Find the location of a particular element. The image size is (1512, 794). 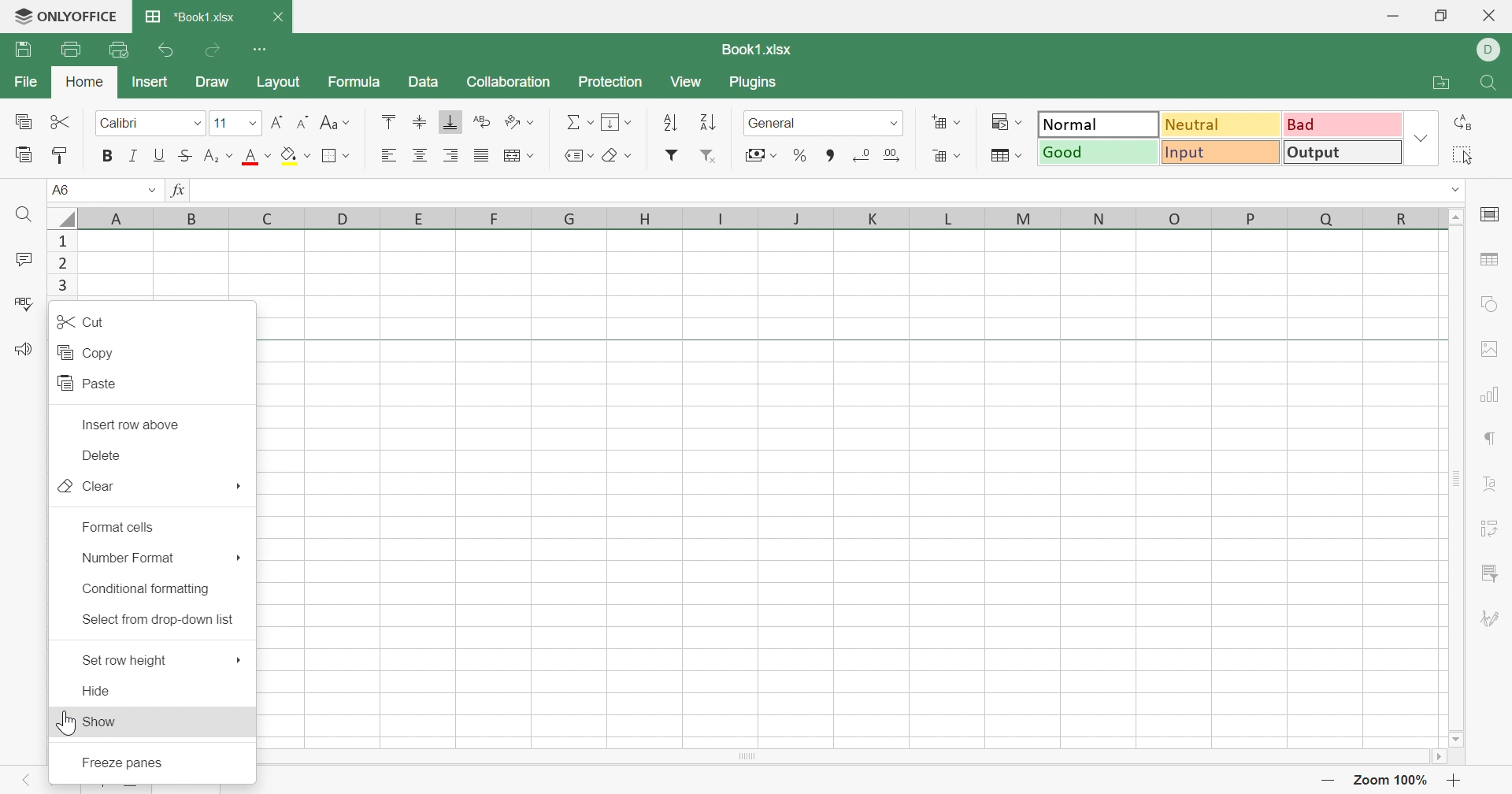

Justified is located at coordinates (481, 155).